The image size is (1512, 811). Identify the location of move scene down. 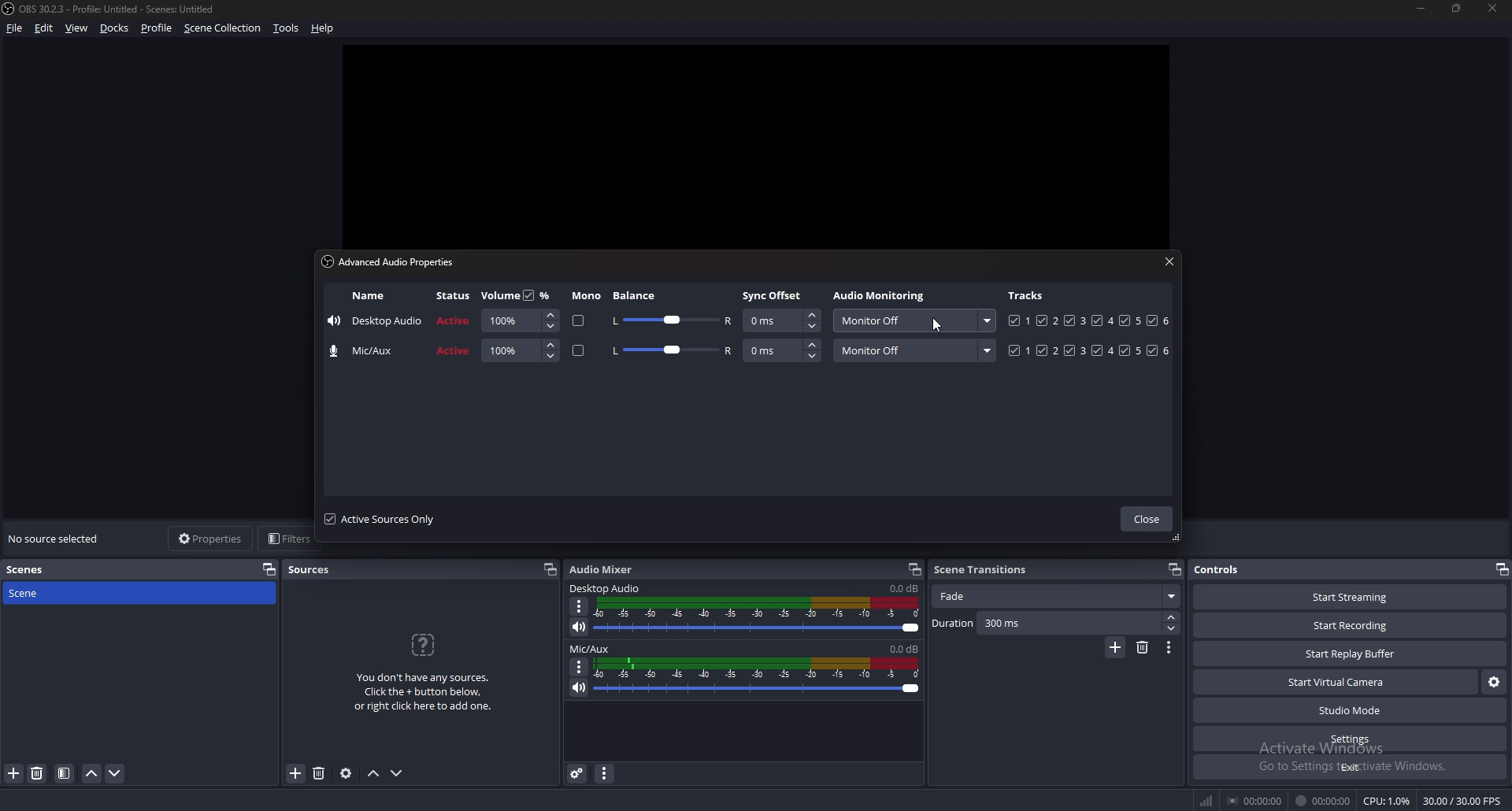
(115, 772).